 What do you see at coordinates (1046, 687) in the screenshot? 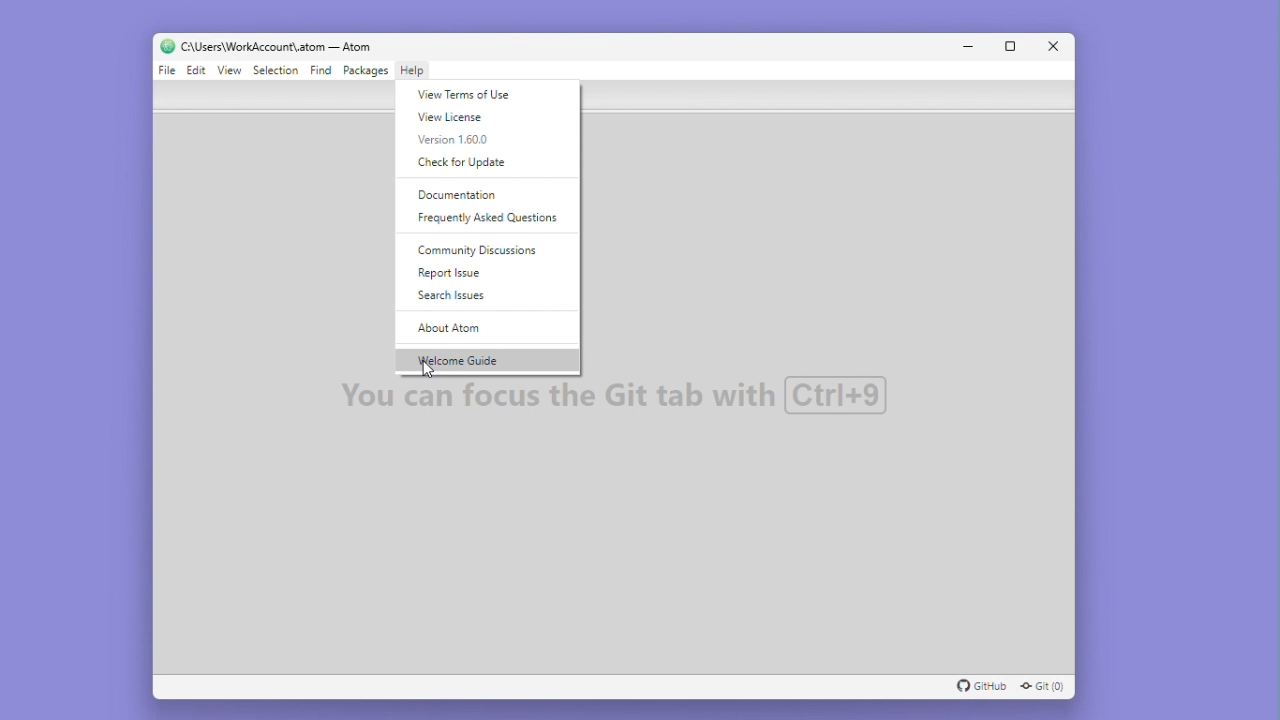
I see `Git (0)` at bounding box center [1046, 687].